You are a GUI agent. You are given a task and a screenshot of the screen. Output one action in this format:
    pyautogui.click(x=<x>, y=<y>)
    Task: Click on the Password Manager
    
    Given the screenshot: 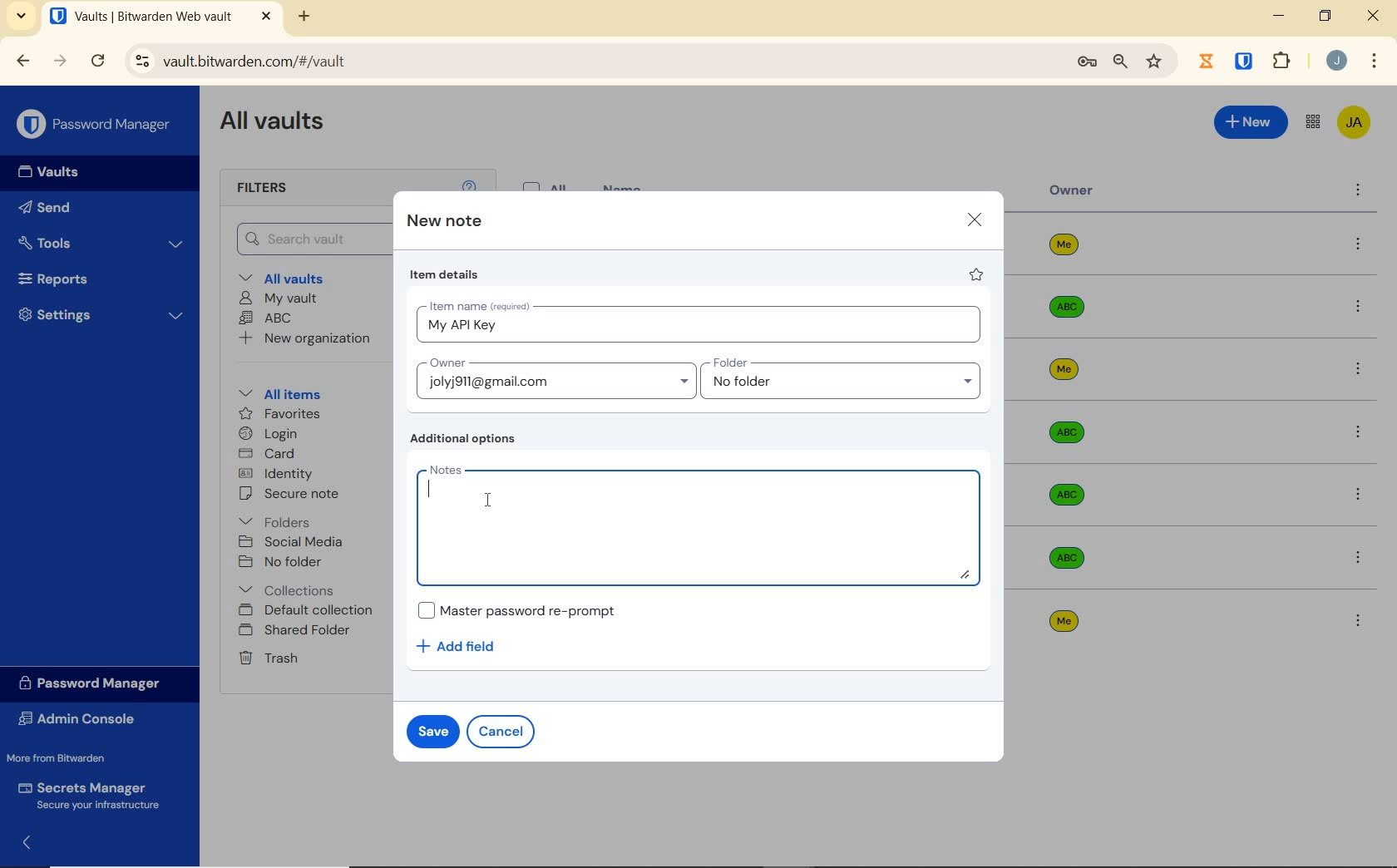 What is the action you would take?
    pyautogui.click(x=96, y=123)
    